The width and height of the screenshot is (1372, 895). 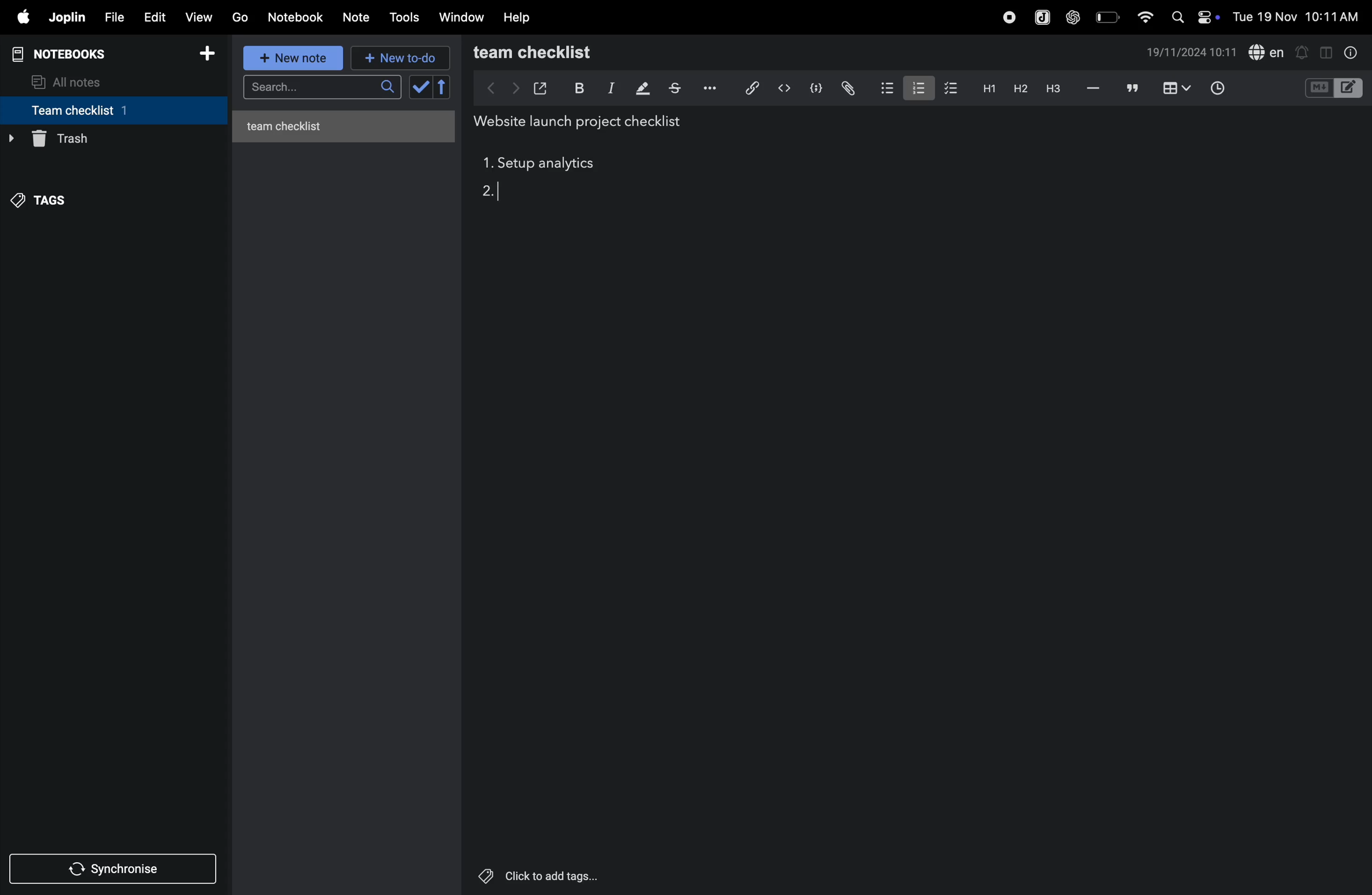 What do you see at coordinates (747, 87) in the screenshot?
I see `hyperlink` at bounding box center [747, 87].